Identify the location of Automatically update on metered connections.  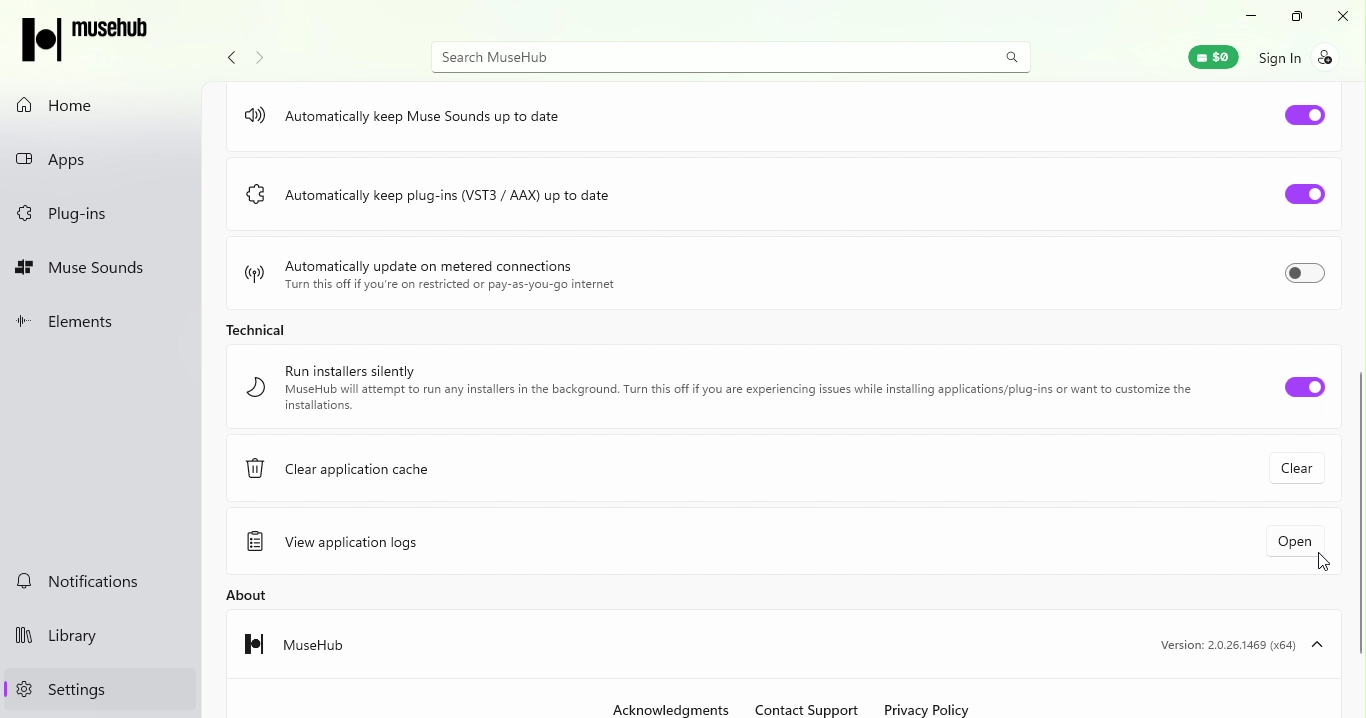
(430, 277).